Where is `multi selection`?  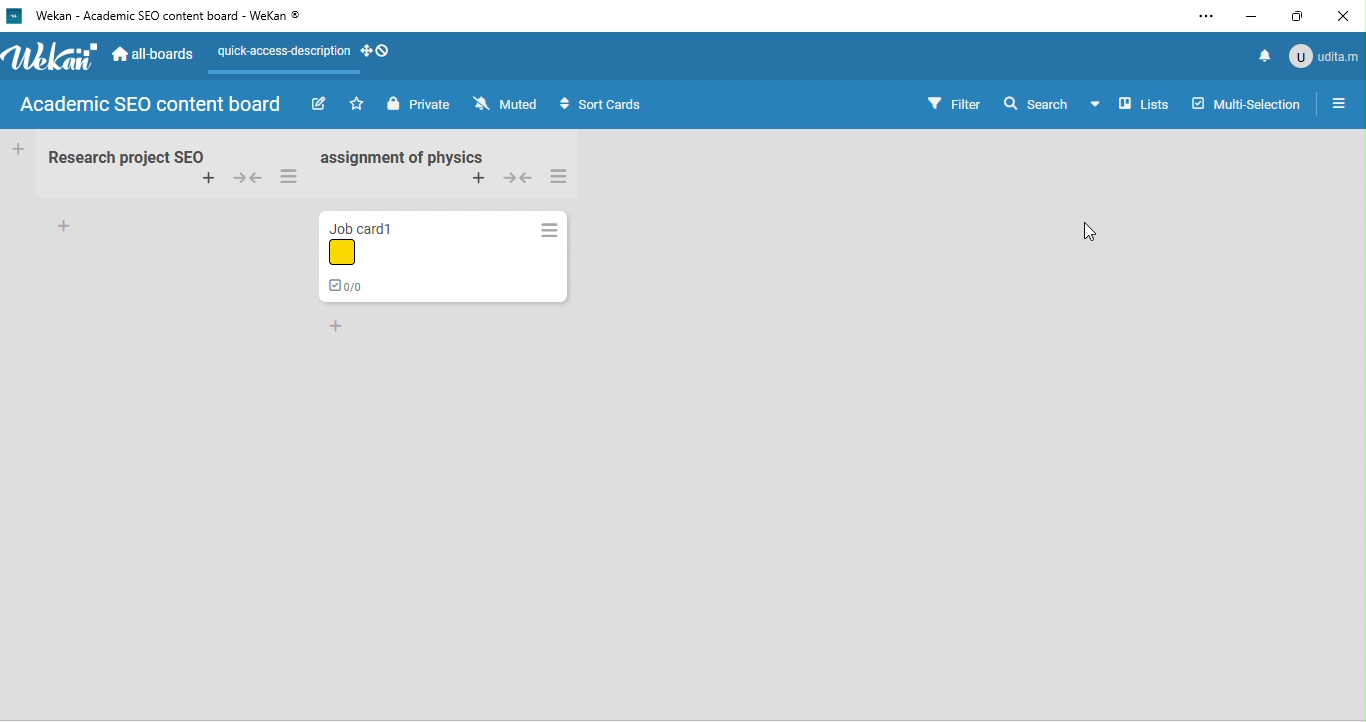
multi selection is located at coordinates (1247, 103).